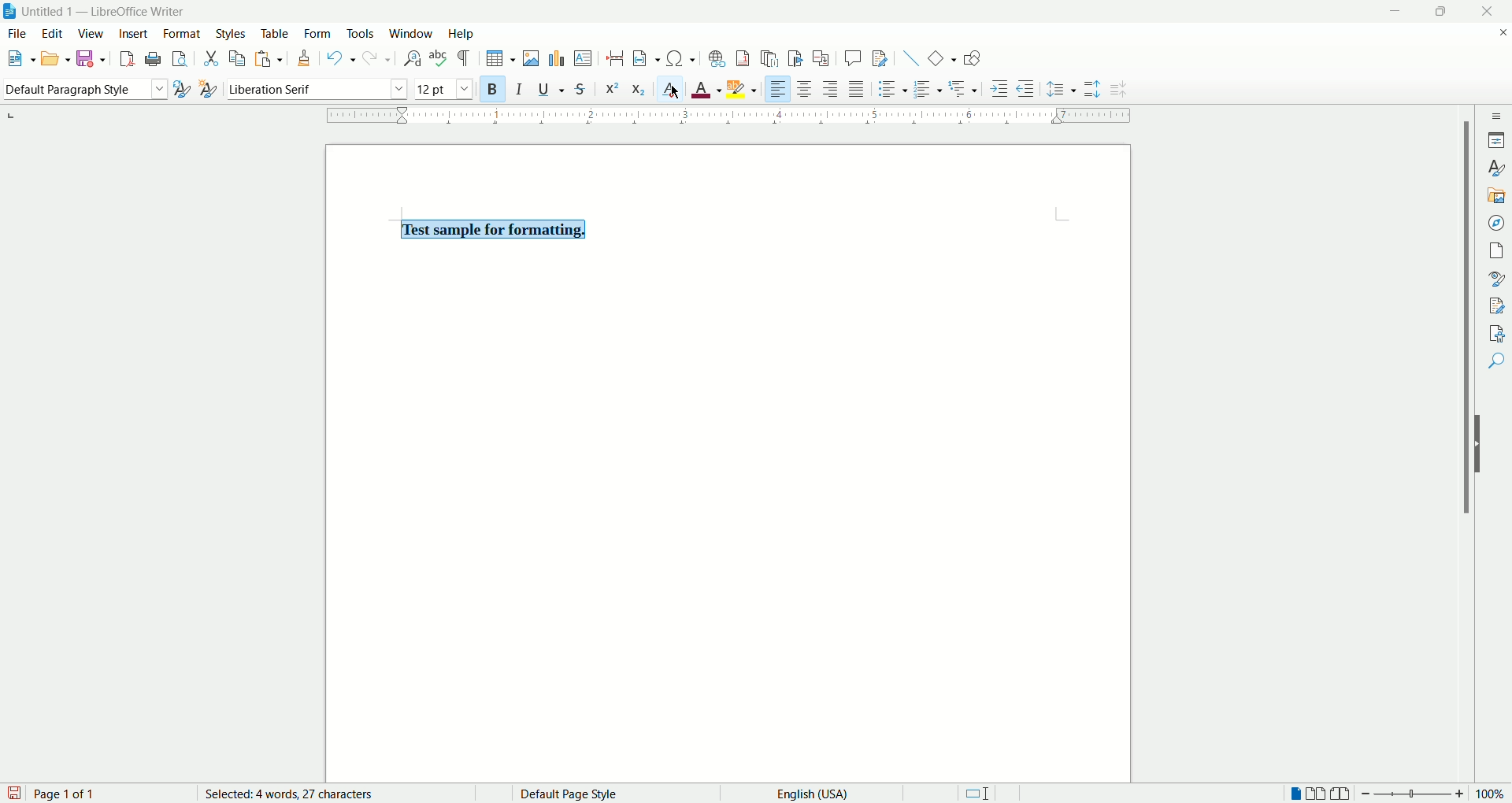  Describe the element at coordinates (1496, 278) in the screenshot. I see `style inspector` at that location.